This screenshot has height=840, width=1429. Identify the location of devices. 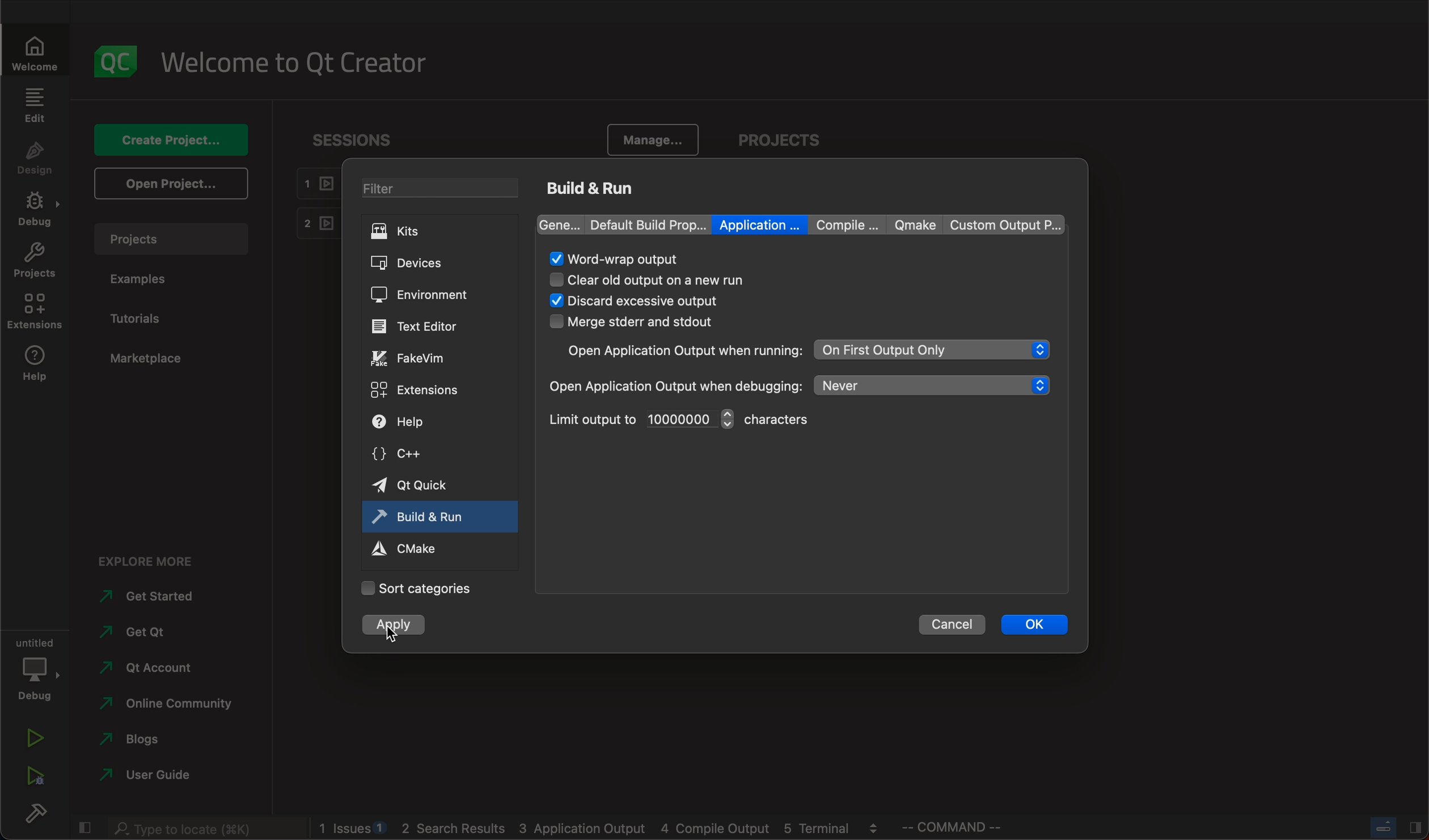
(437, 261).